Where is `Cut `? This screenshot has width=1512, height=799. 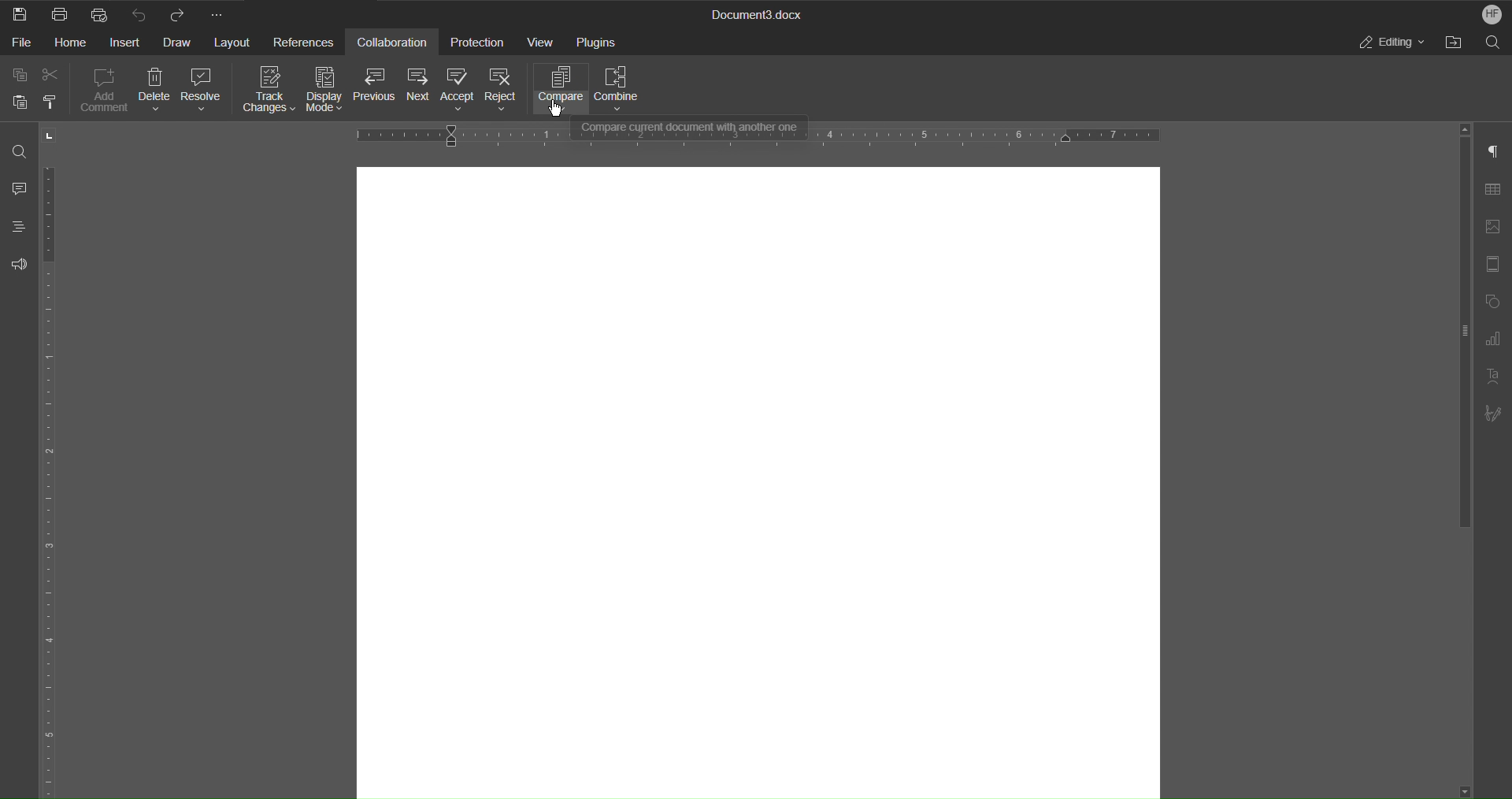
Cut  is located at coordinates (50, 75).